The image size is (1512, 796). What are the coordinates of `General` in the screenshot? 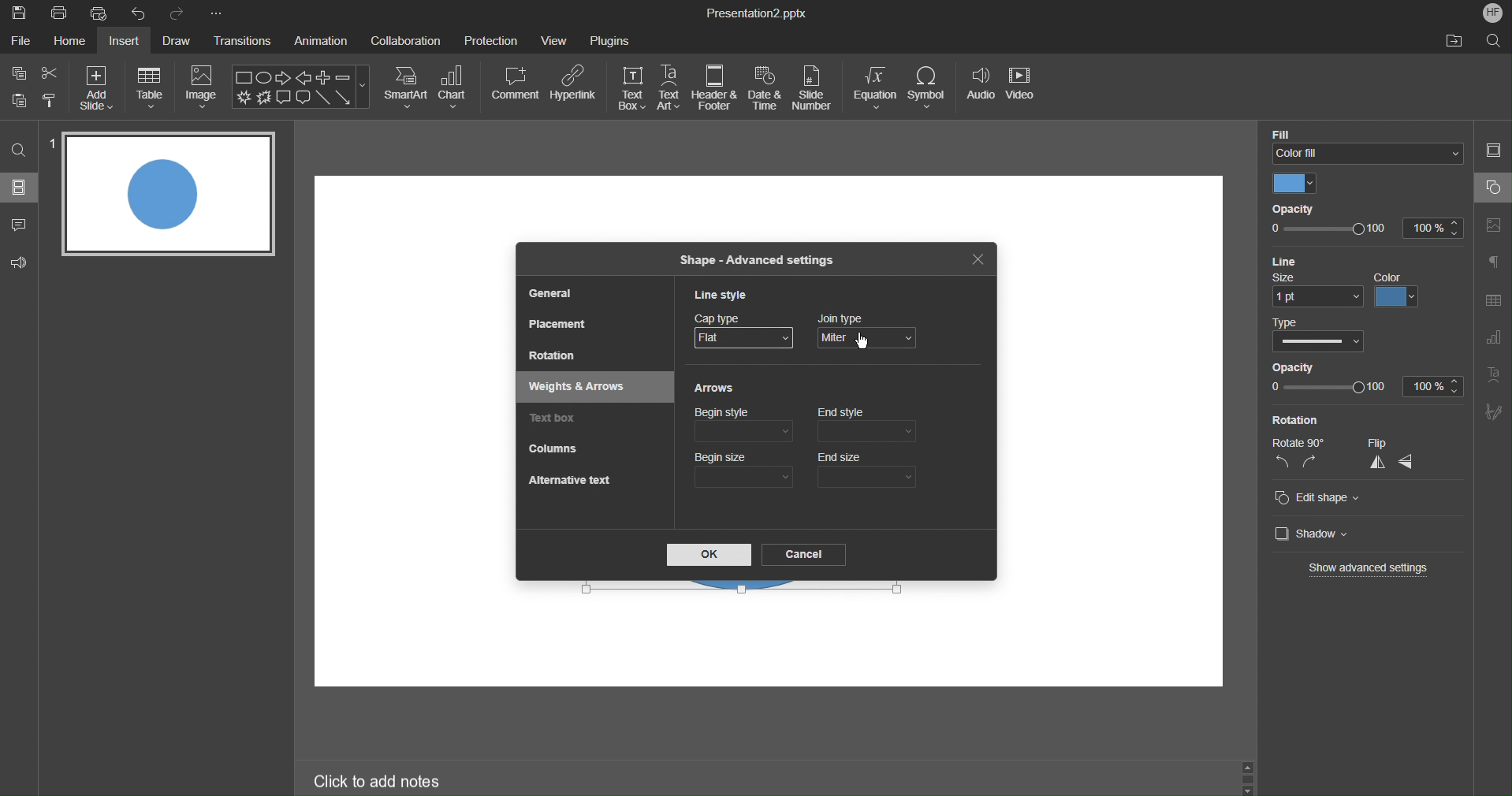 It's located at (550, 293).